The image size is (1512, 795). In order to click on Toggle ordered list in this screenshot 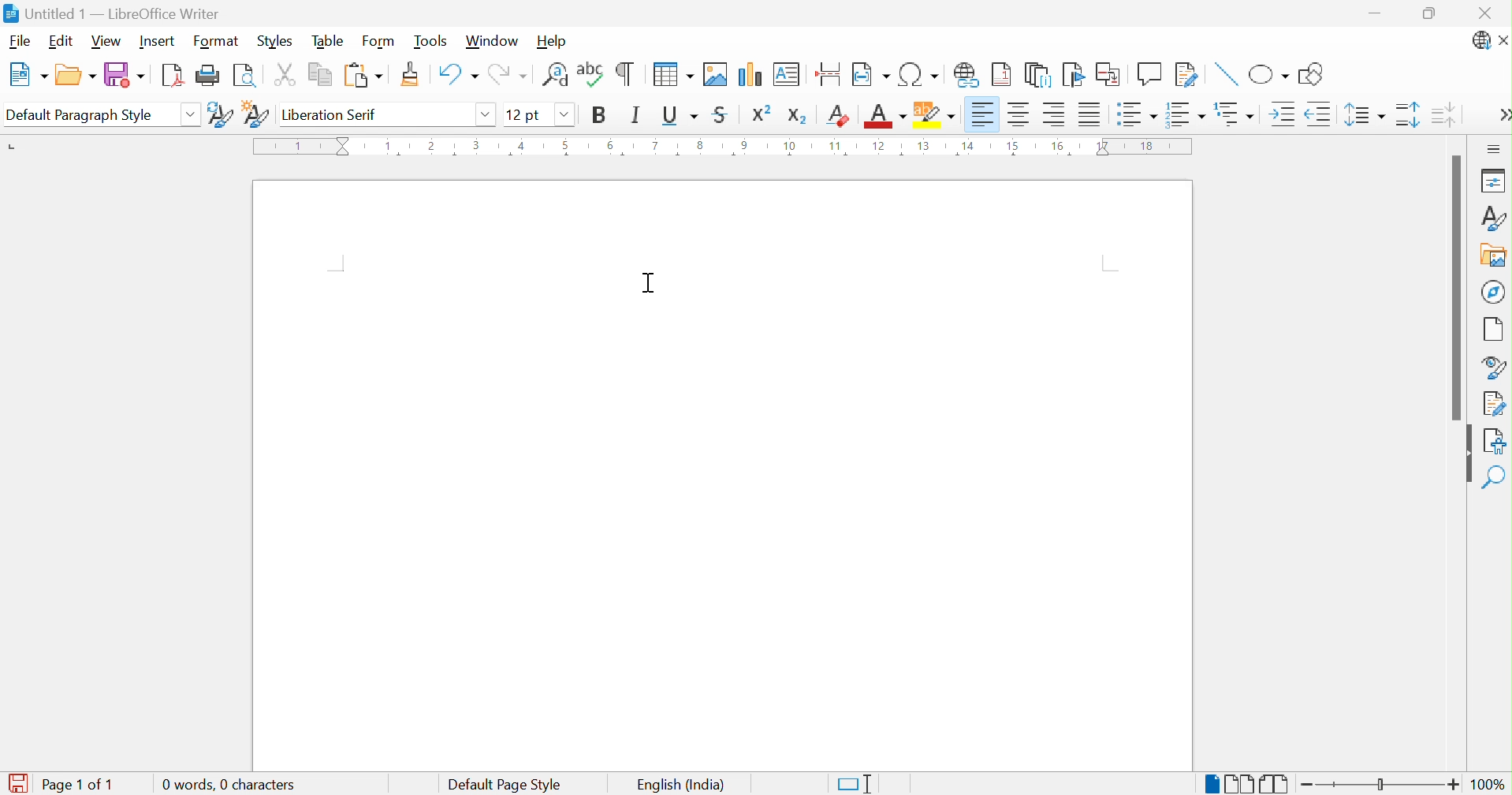, I will do `click(1187, 114)`.